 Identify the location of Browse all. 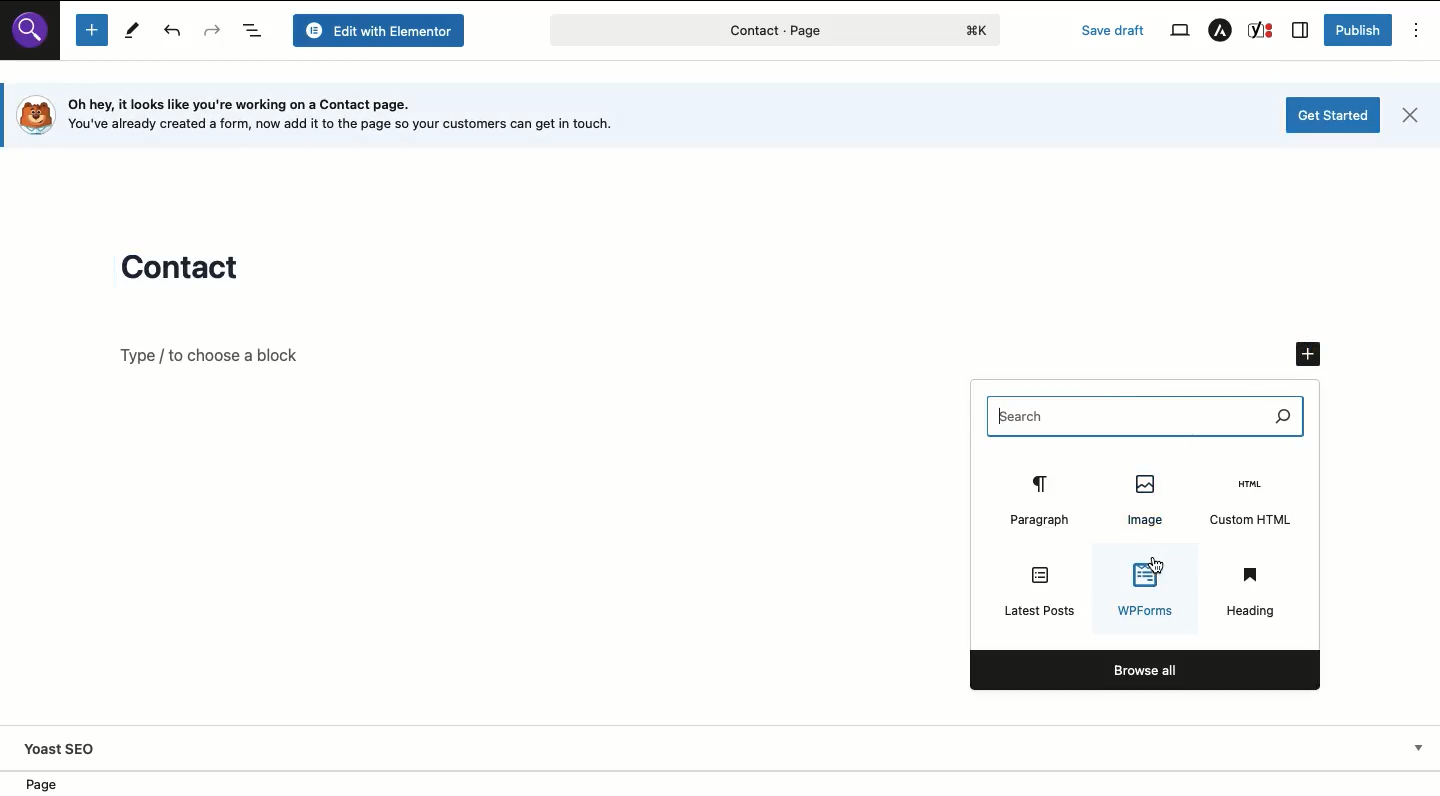
(1143, 670).